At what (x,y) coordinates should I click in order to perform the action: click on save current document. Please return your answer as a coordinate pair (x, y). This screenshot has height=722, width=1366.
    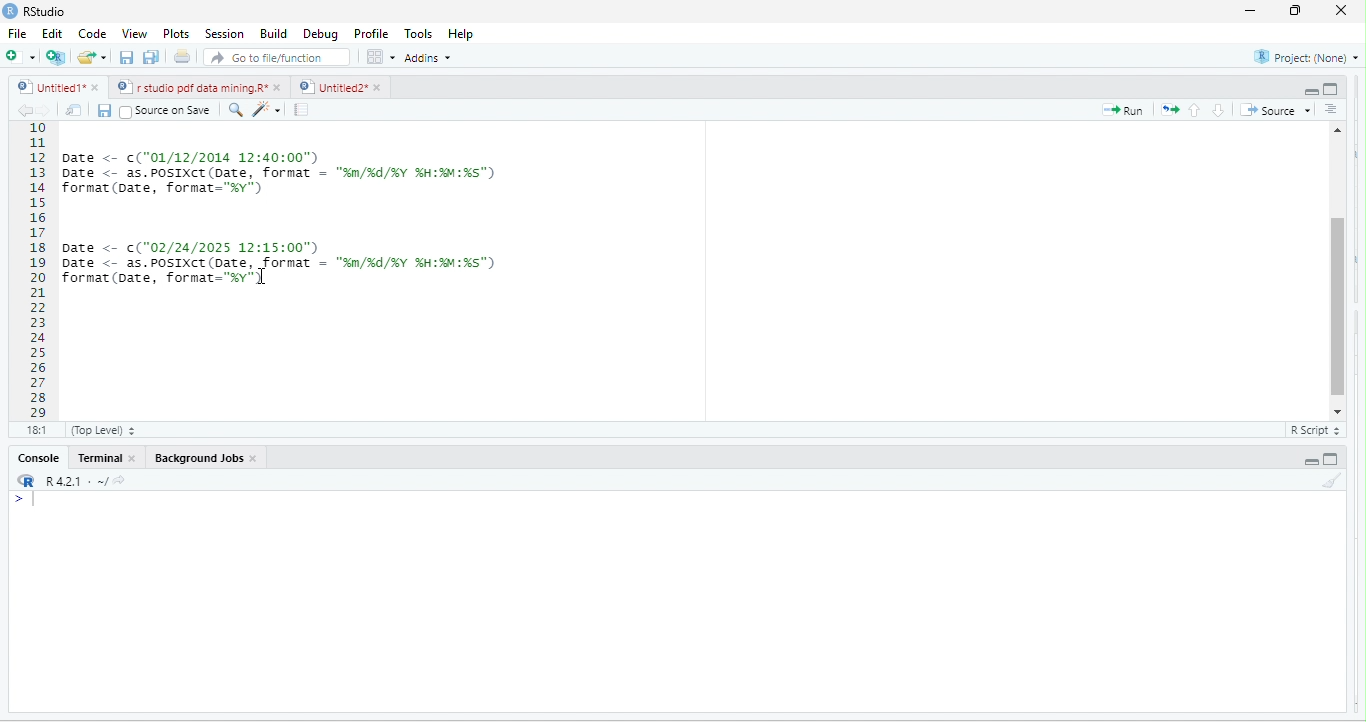
    Looking at the image, I should click on (108, 112).